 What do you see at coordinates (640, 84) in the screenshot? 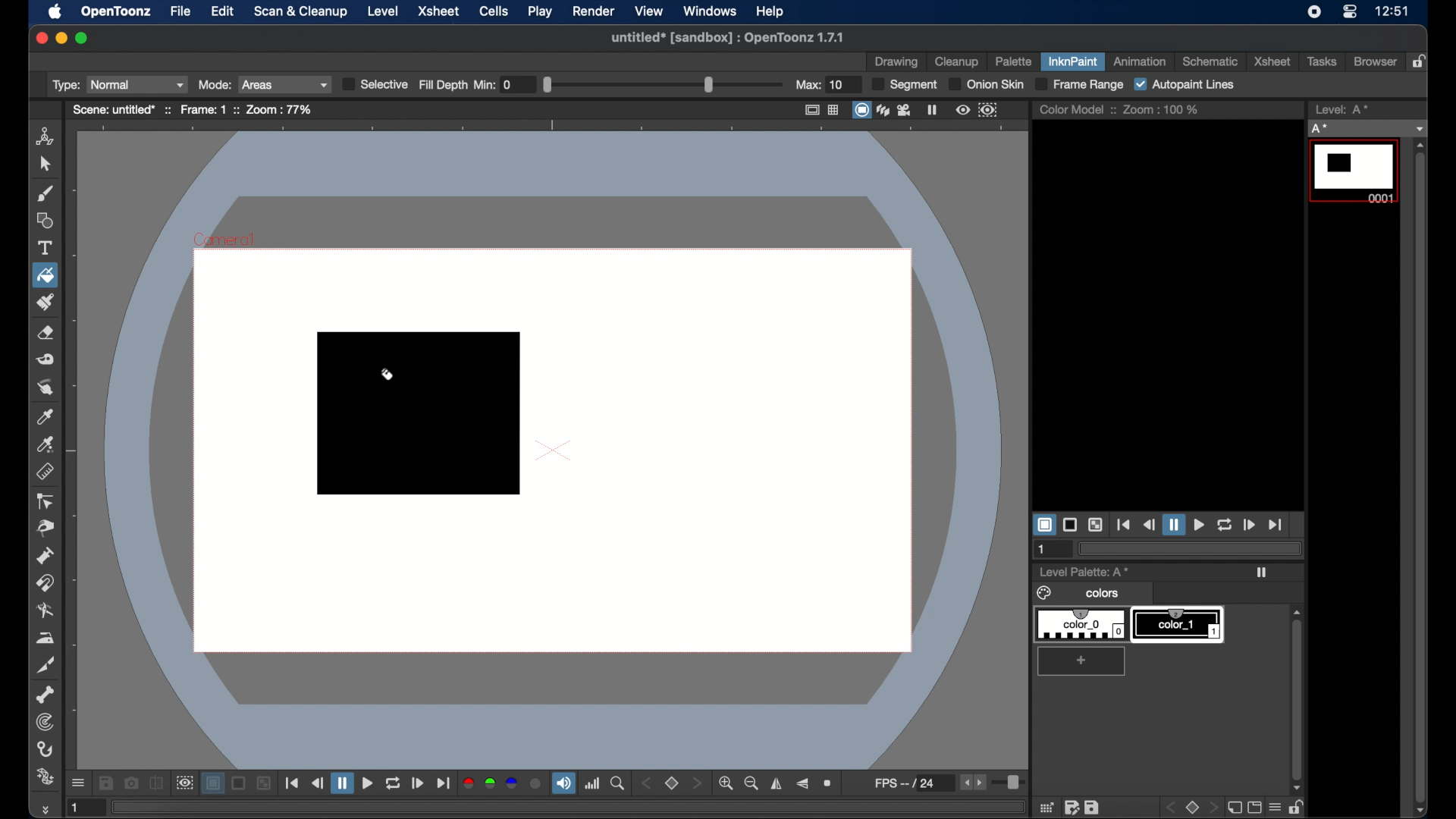
I see `fill depth` at bounding box center [640, 84].